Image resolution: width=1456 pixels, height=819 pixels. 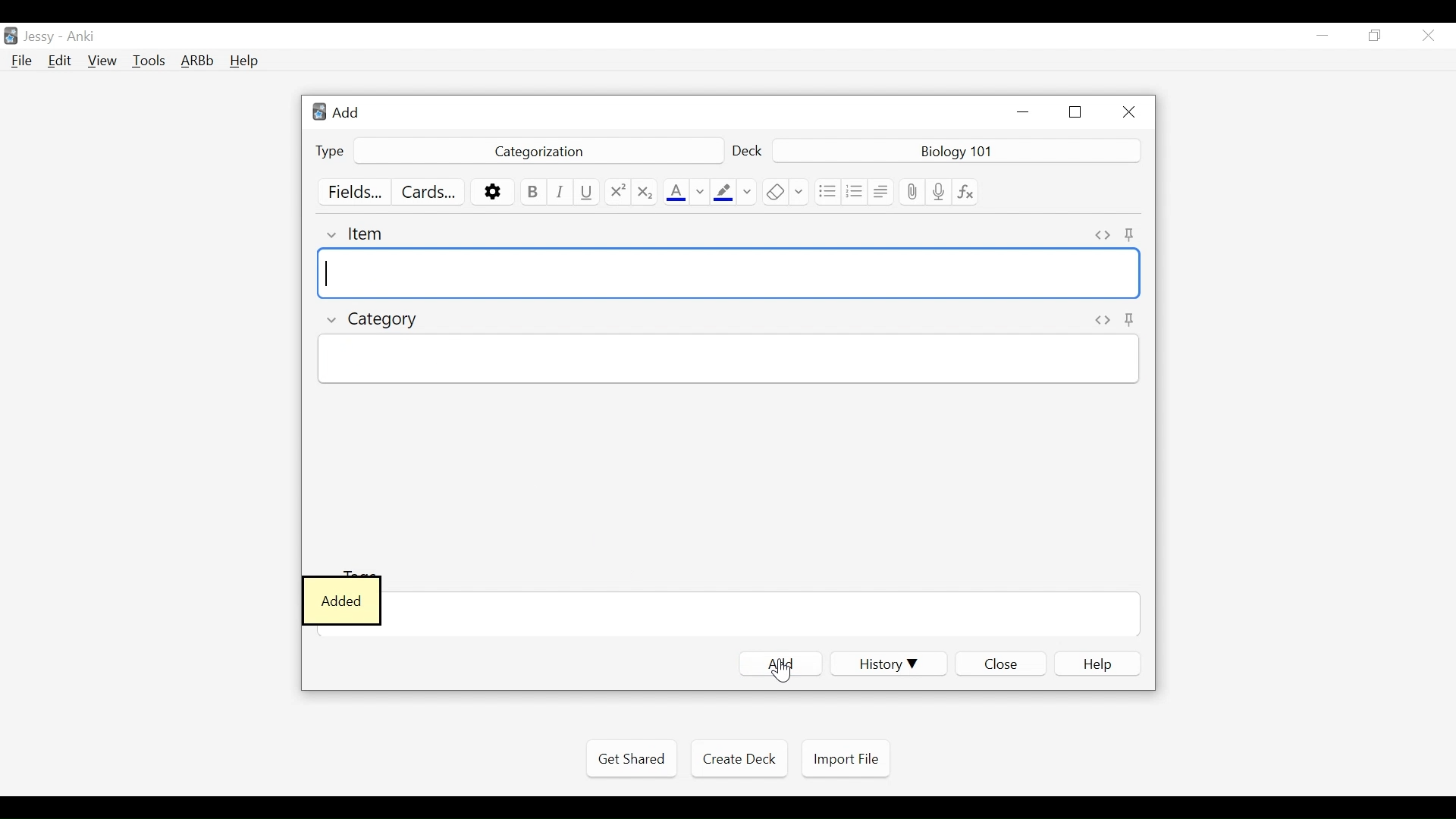 What do you see at coordinates (11, 36) in the screenshot?
I see `Anki Desktop icon` at bounding box center [11, 36].